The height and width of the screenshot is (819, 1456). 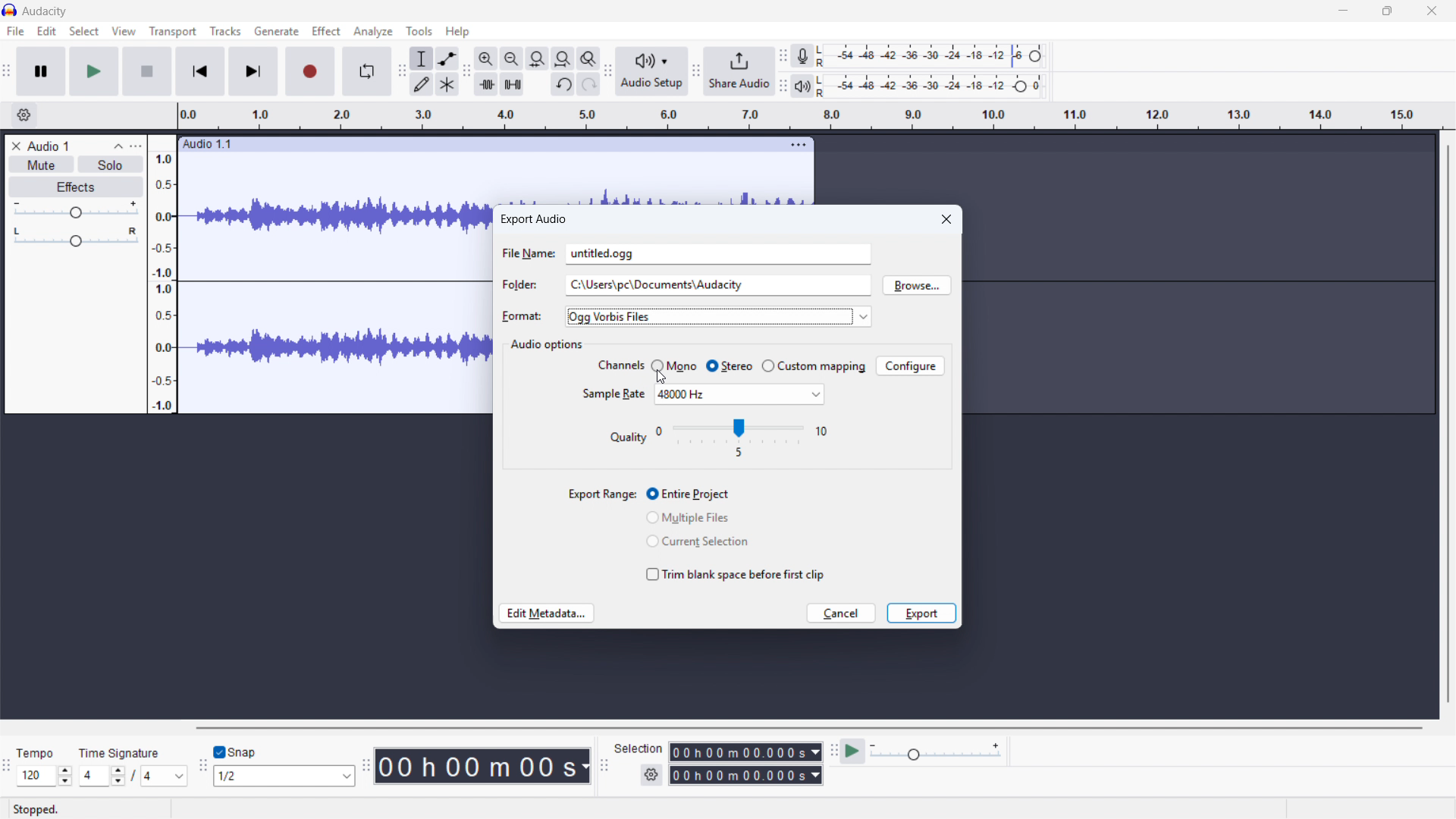 What do you see at coordinates (368, 71) in the screenshot?
I see `Enable loop ` at bounding box center [368, 71].